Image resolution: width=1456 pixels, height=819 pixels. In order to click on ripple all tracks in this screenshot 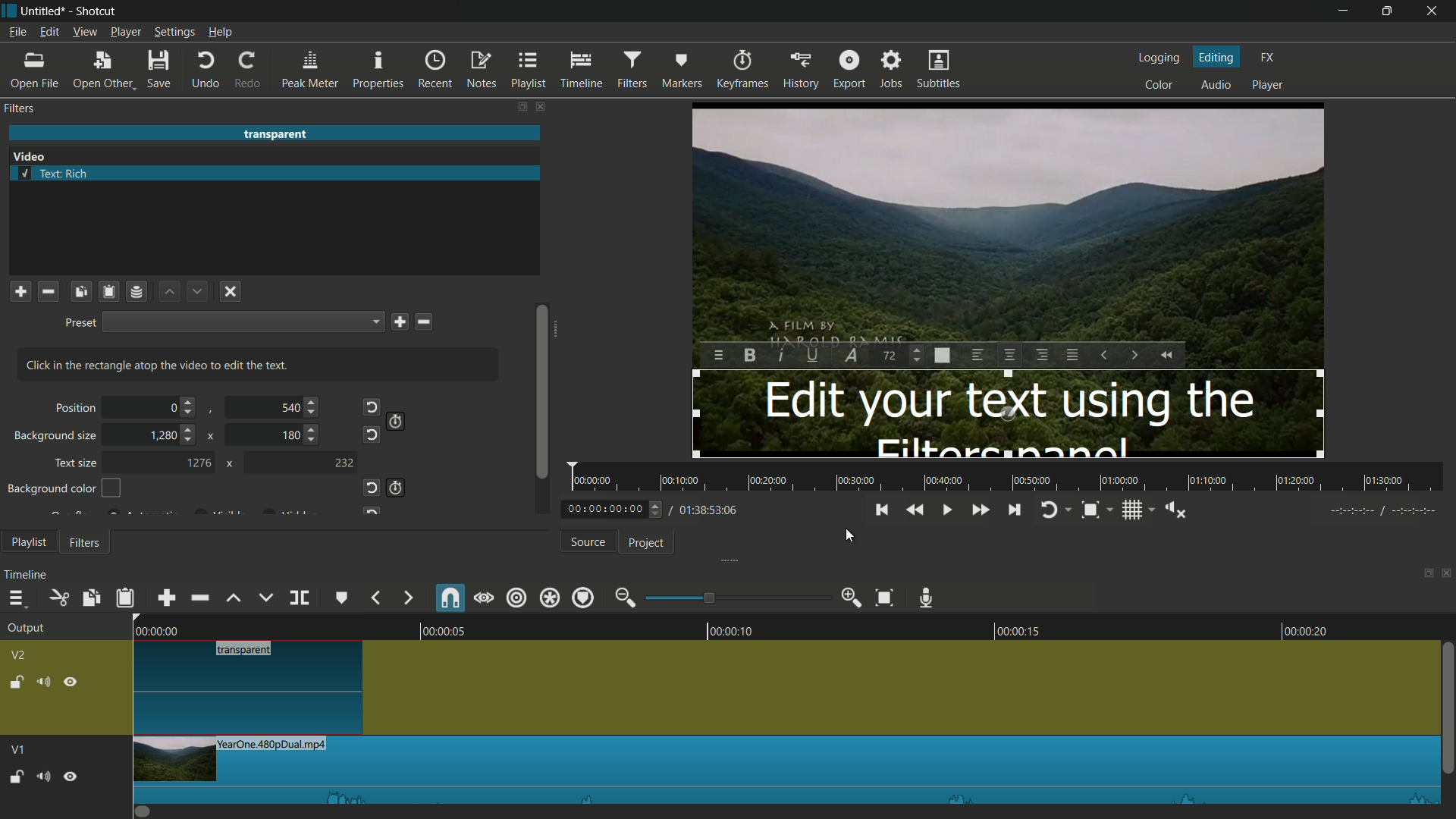, I will do `click(549, 598)`.